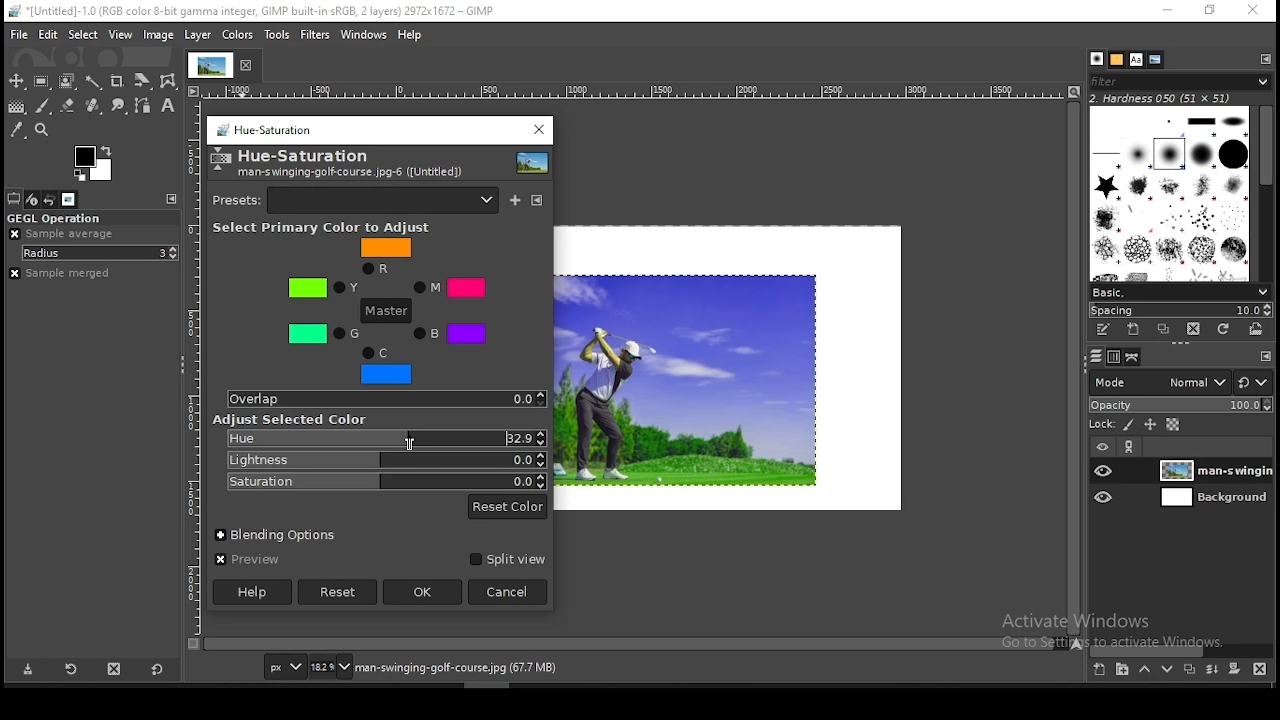  I want to click on blend mode, so click(1181, 382).